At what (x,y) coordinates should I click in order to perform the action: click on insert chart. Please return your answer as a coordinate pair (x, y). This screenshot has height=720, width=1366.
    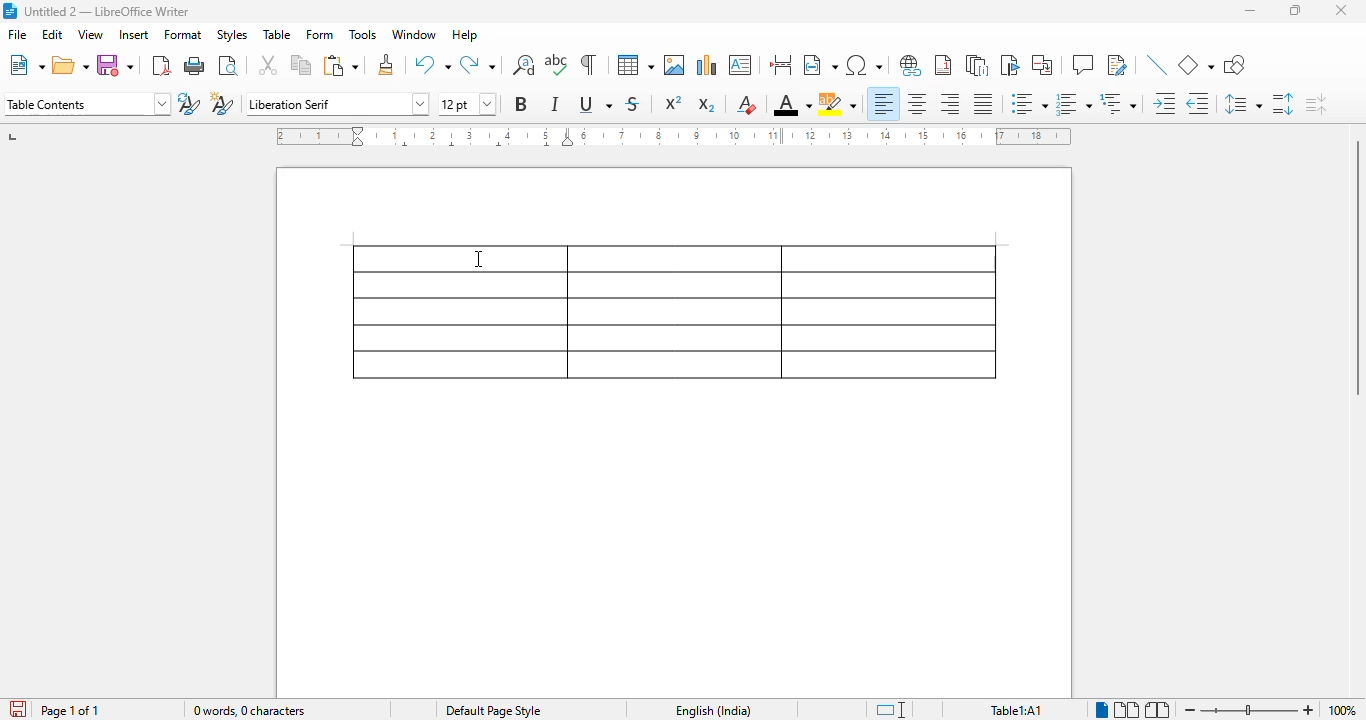
    Looking at the image, I should click on (707, 65).